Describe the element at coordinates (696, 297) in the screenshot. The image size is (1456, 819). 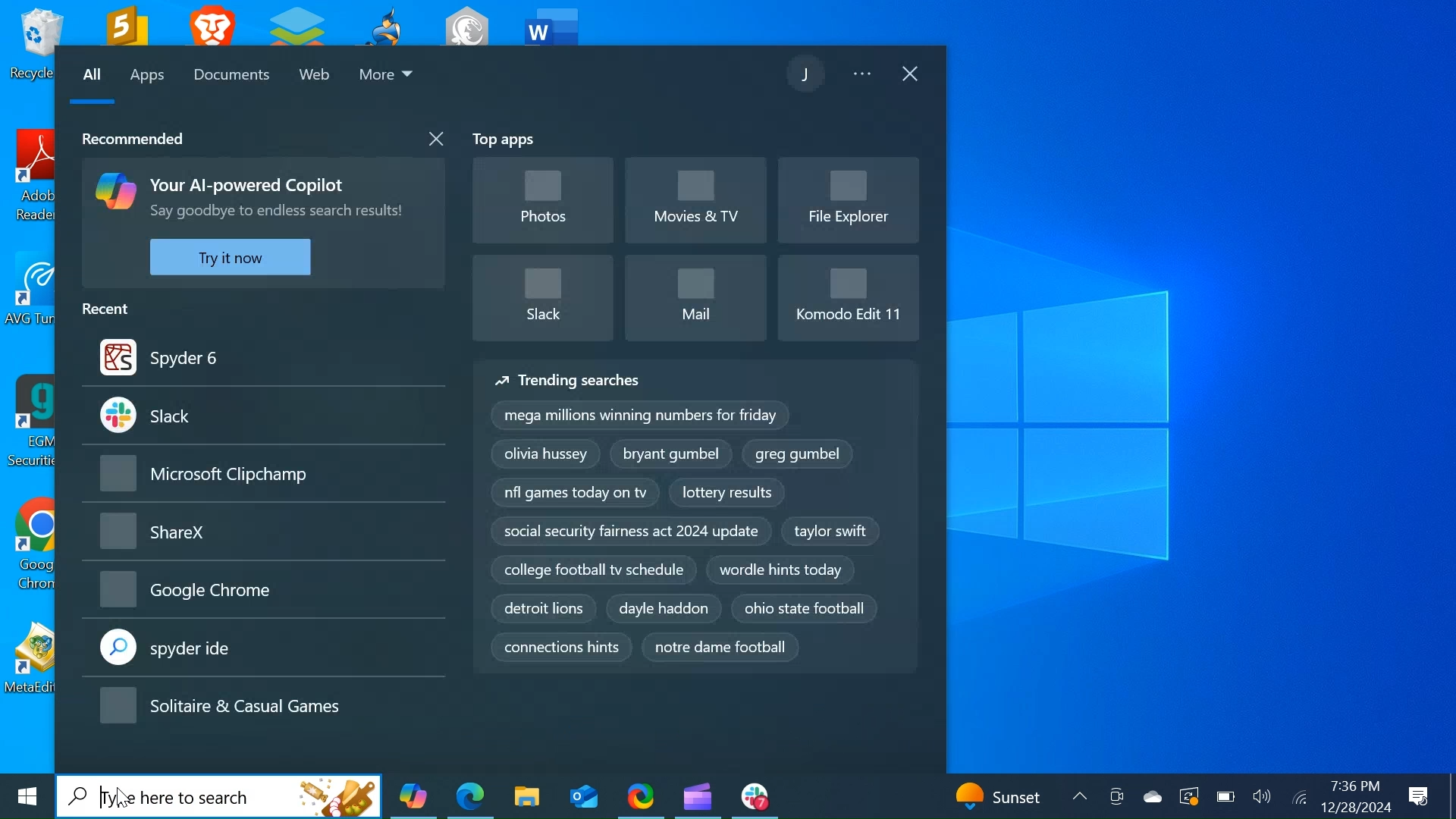
I see `Mail` at that location.